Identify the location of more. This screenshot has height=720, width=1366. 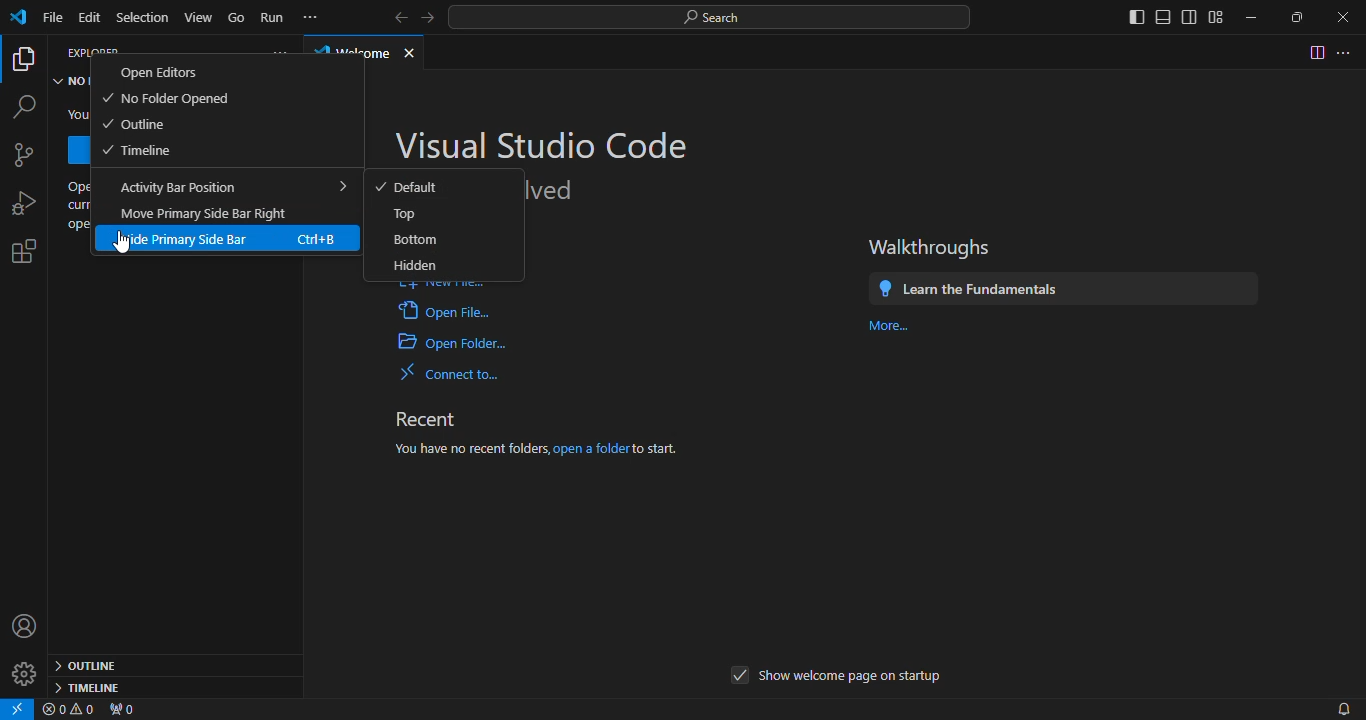
(314, 17).